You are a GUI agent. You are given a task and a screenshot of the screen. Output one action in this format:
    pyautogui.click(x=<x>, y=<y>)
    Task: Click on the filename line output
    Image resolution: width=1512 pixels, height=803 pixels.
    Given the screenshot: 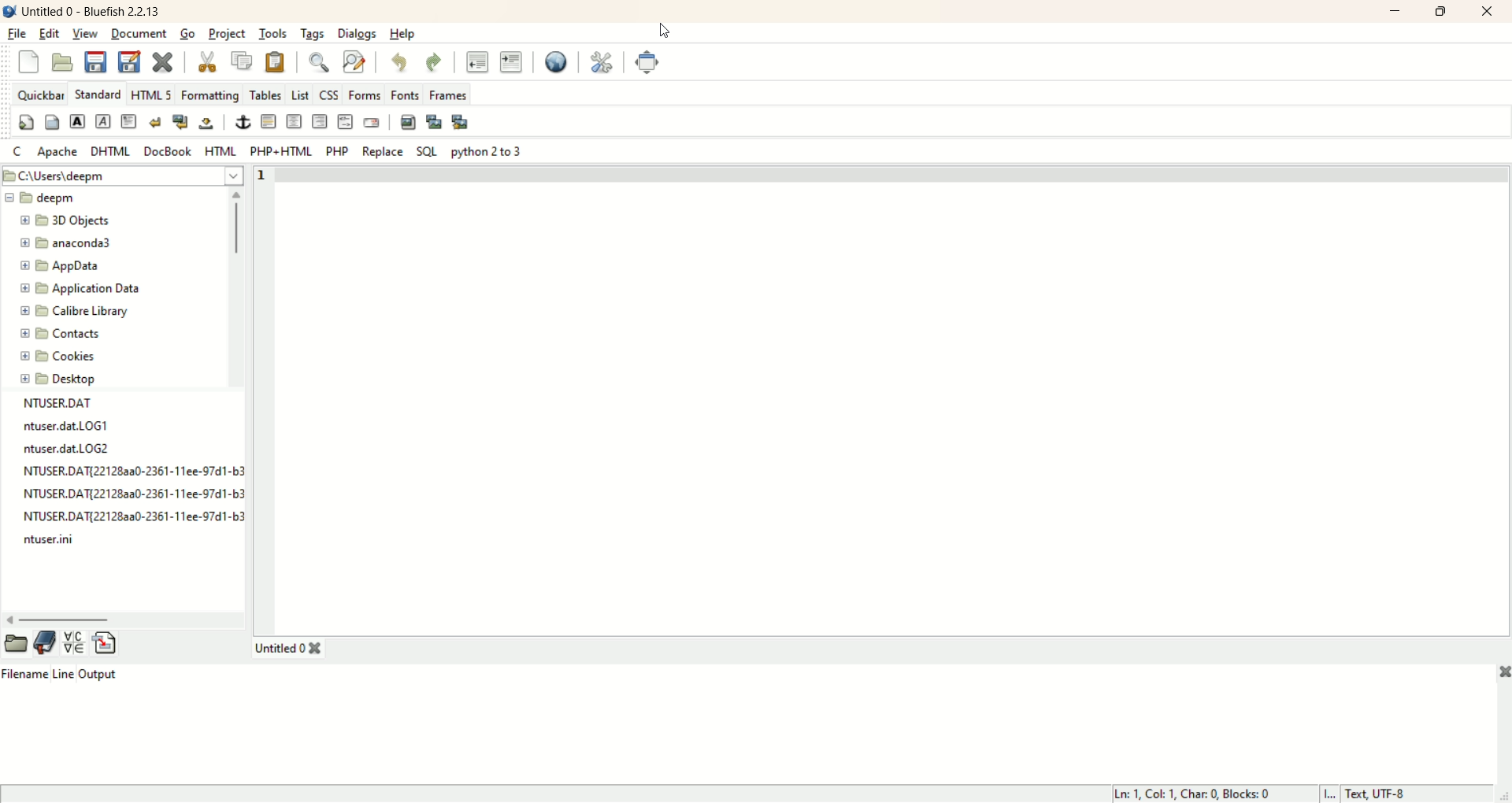 What is the action you would take?
    pyautogui.click(x=67, y=681)
    